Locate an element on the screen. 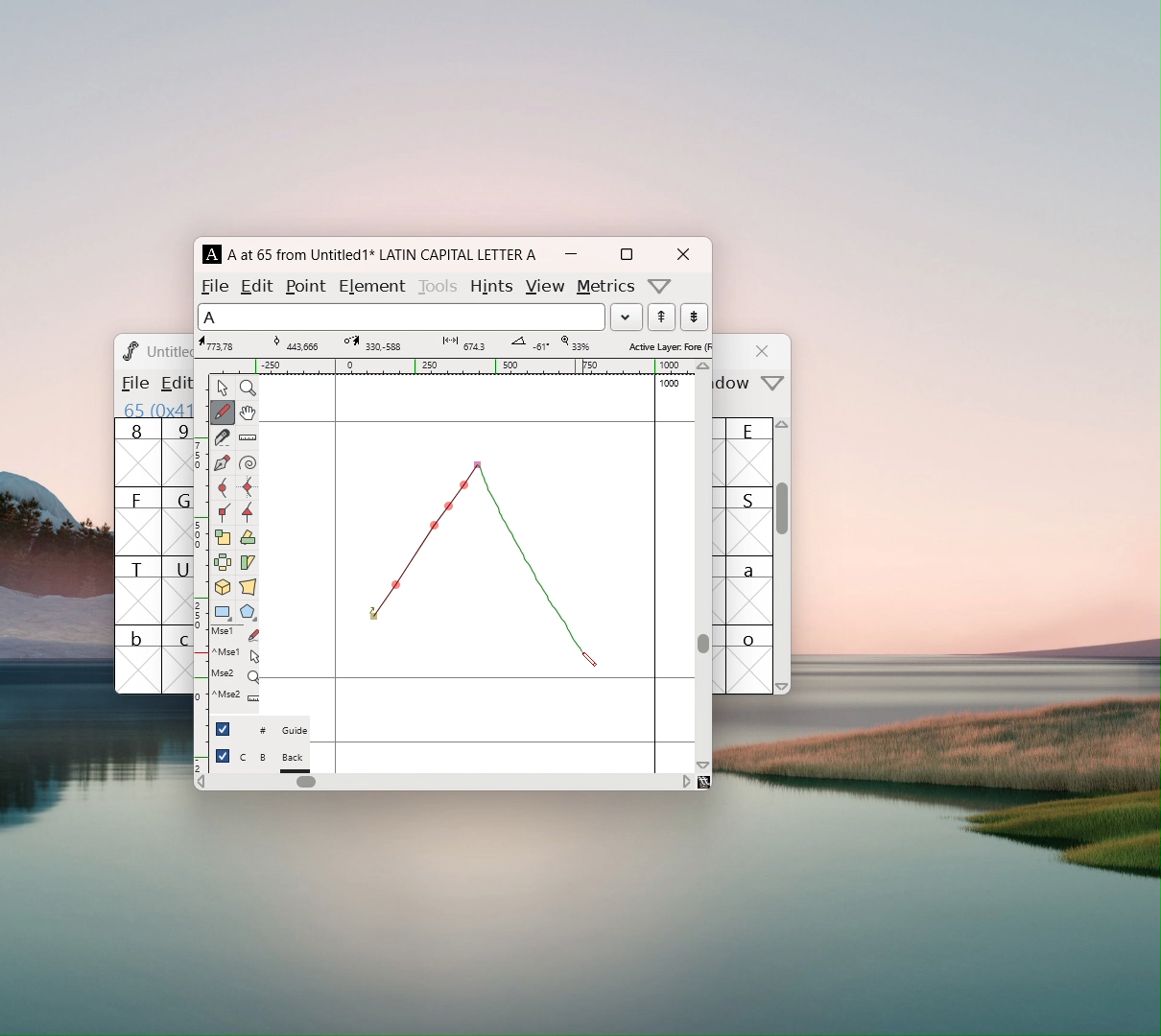  draw shape is located at coordinates (479, 562).